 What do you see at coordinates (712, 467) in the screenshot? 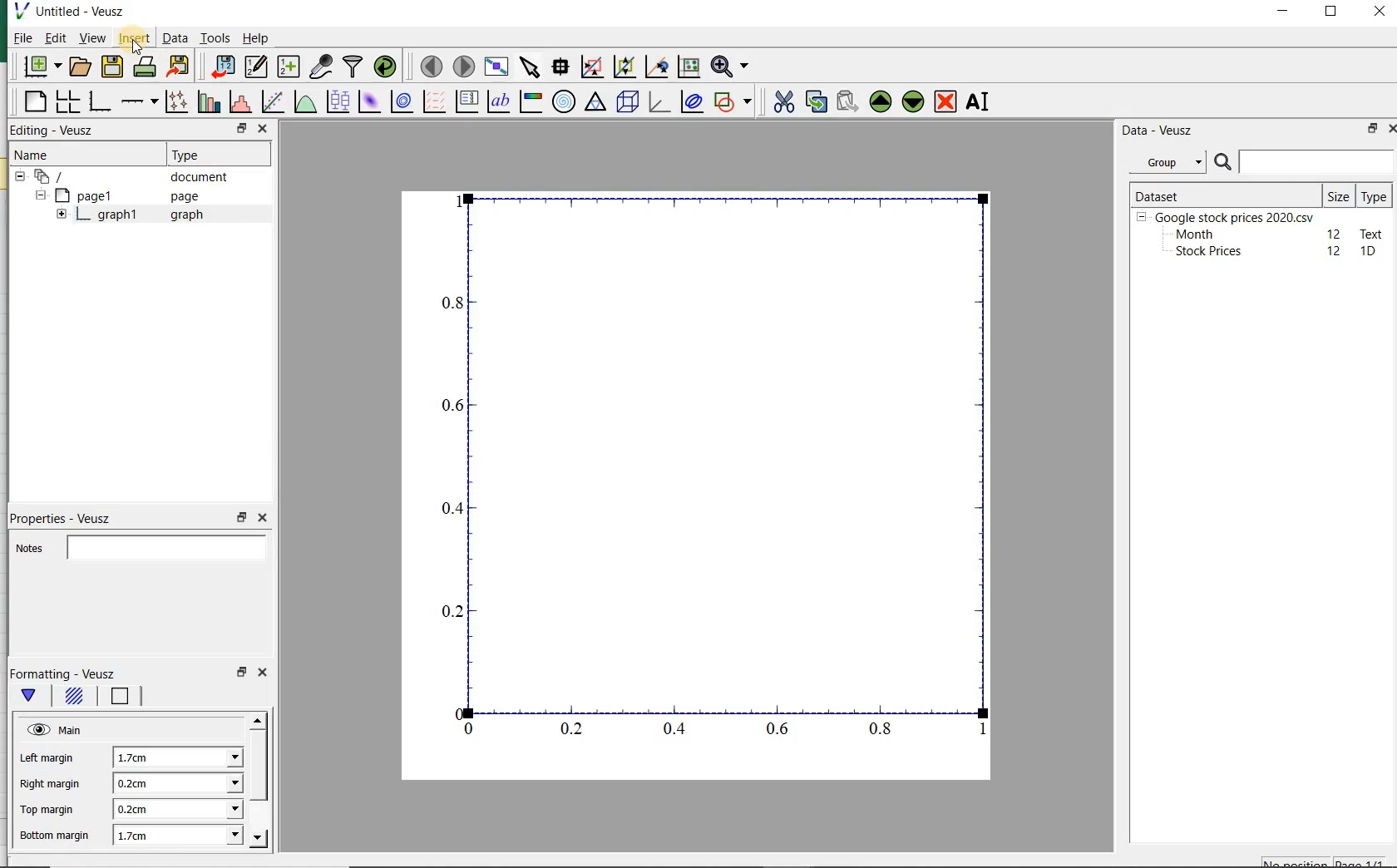
I see `graph` at bounding box center [712, 467].